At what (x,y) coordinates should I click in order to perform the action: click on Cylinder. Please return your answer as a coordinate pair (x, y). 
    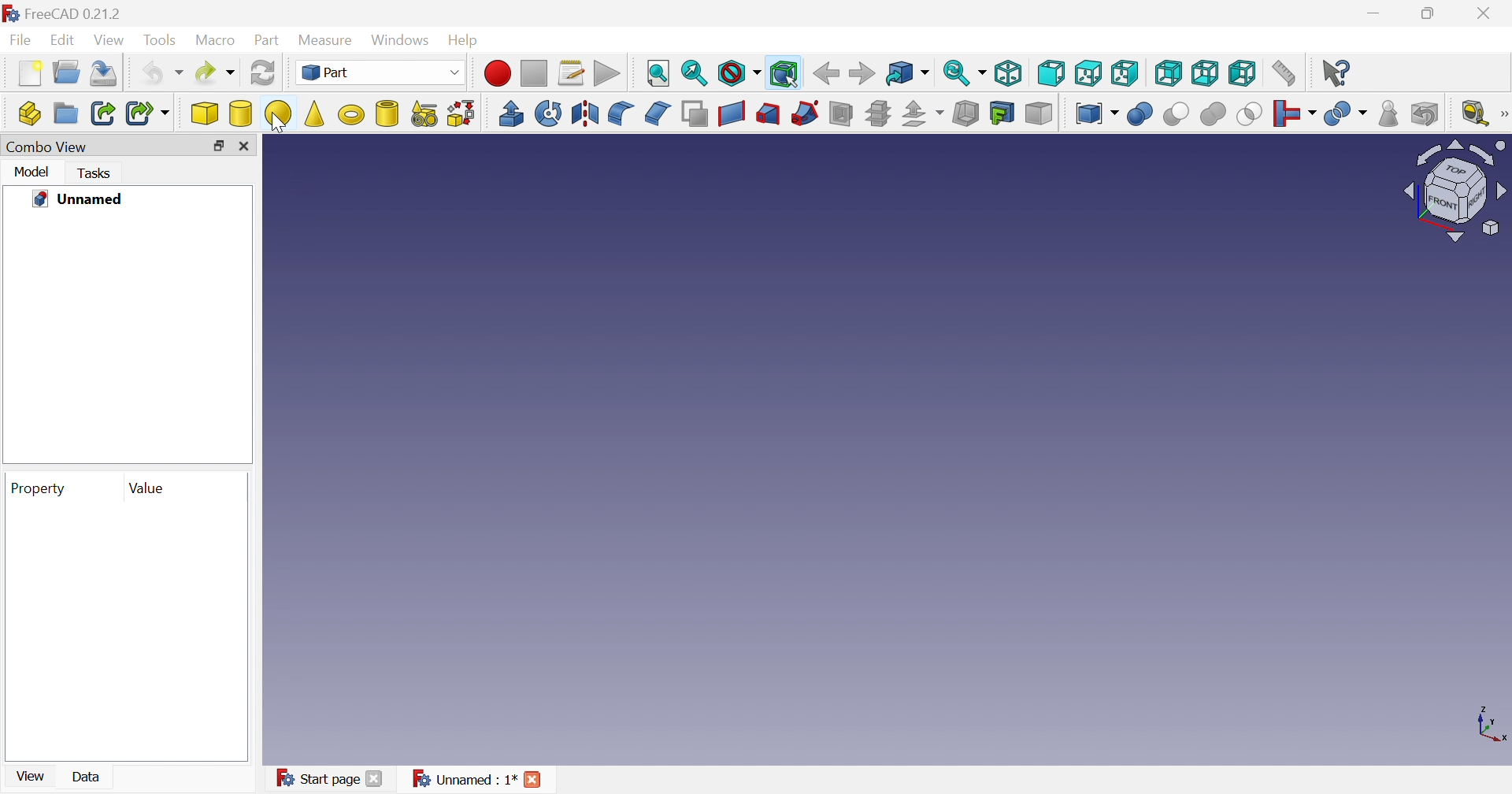
    Looking at the image, I should click on (241, 113).